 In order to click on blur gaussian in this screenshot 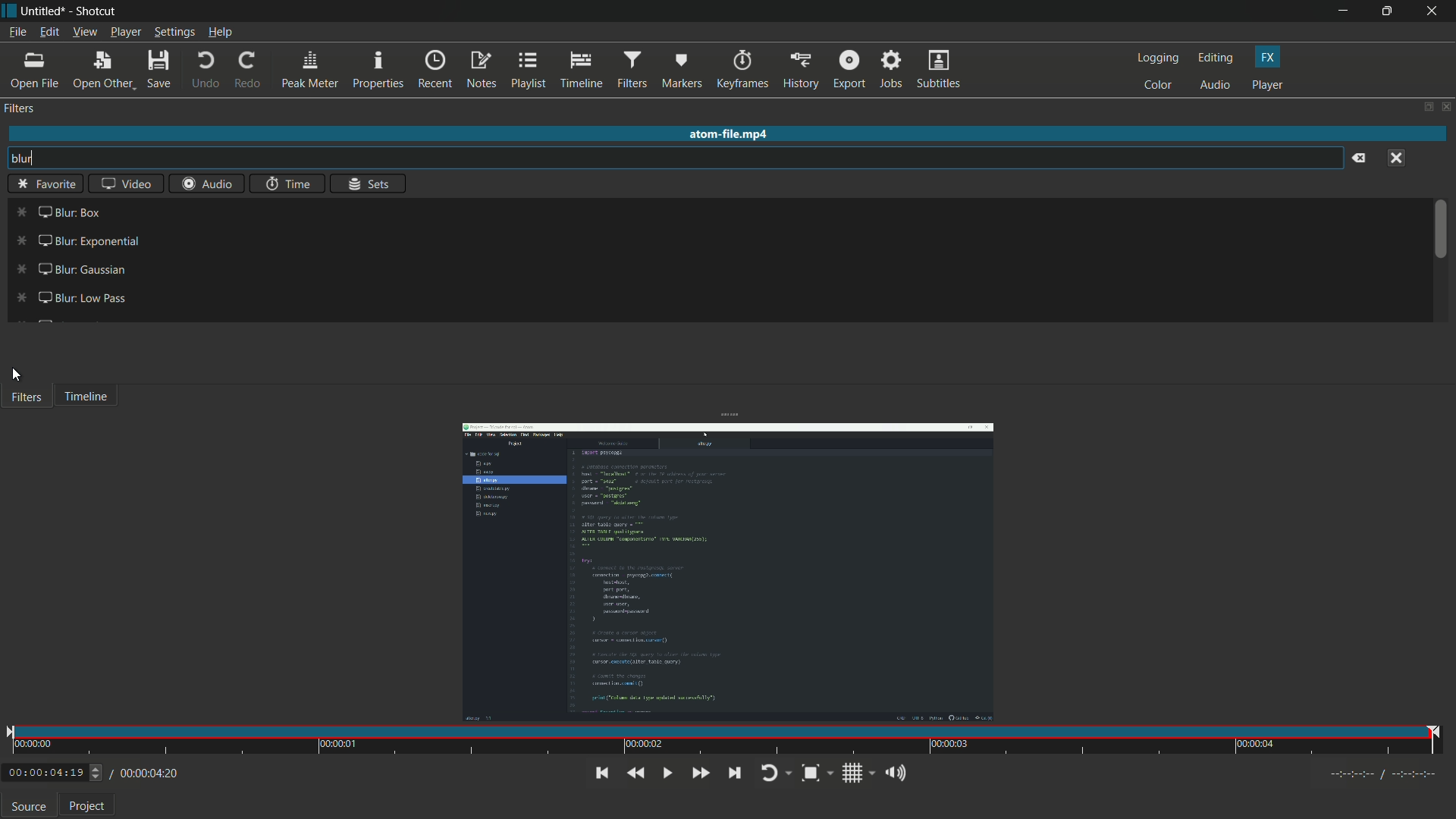, I will do `click(66, 270)`.